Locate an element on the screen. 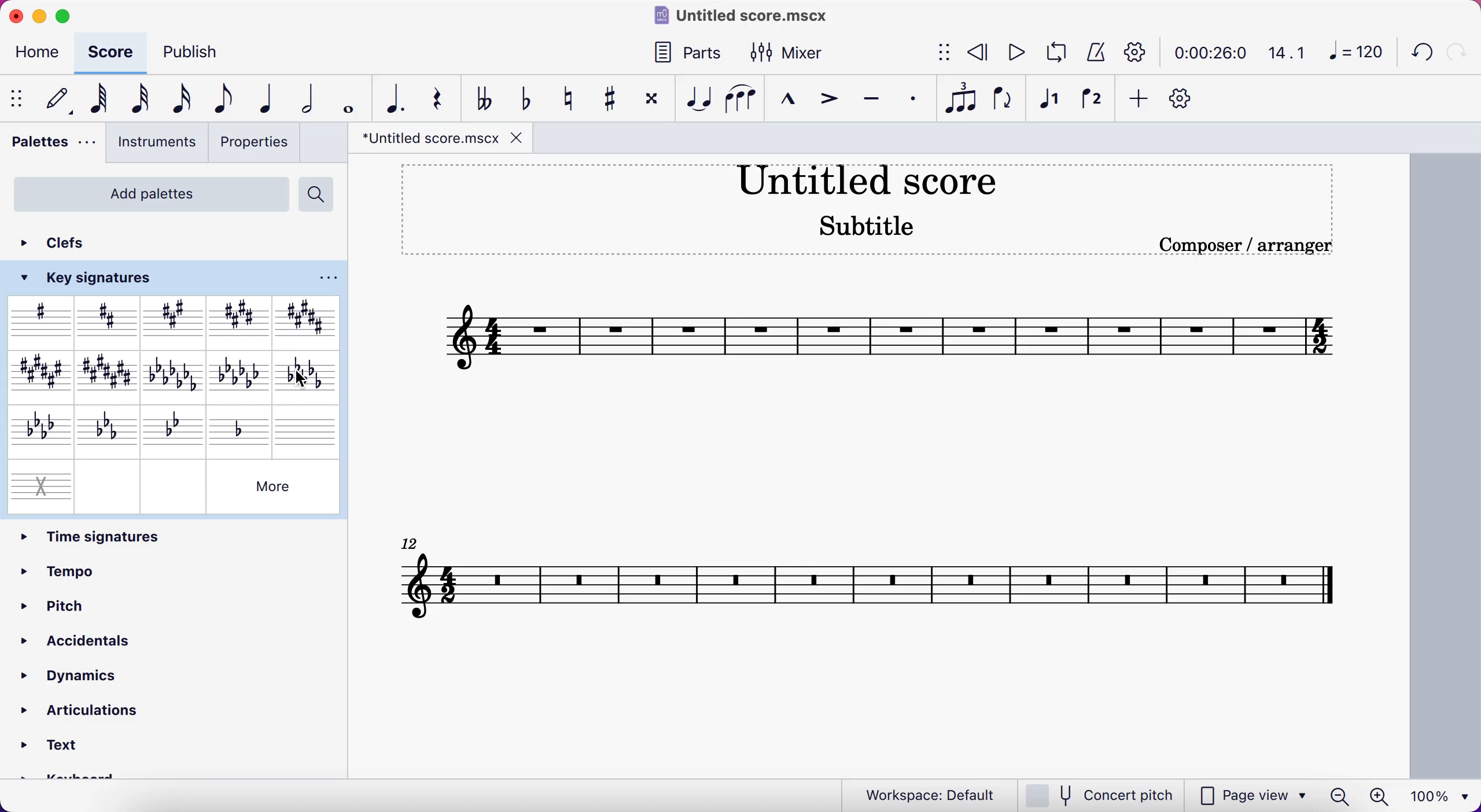 The width and height of the screenshot is (1481, 812). flip direction is located at coordinates (1001, 102).